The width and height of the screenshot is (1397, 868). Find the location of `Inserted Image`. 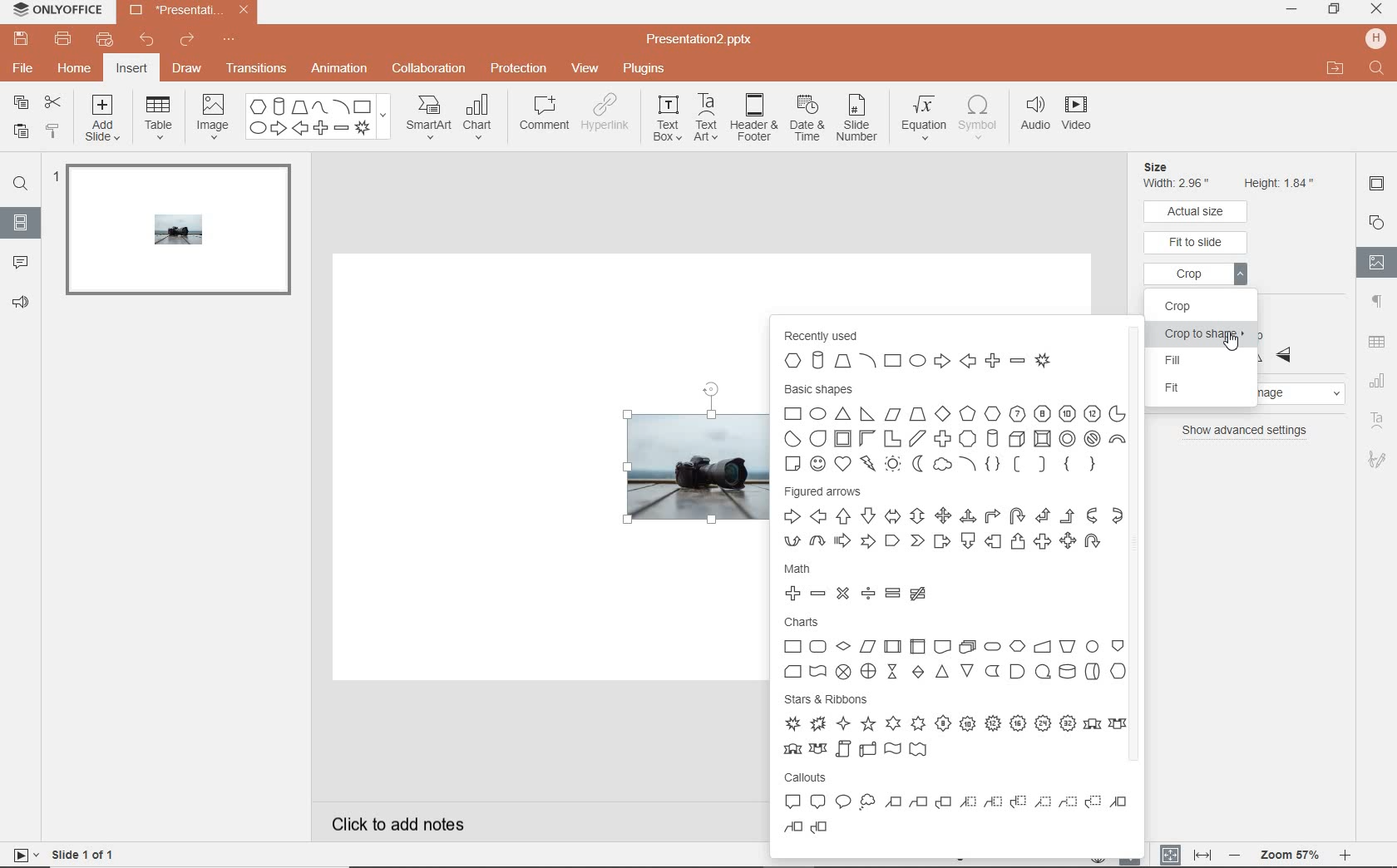

Inserted Image is located at coordinates (674, 471).